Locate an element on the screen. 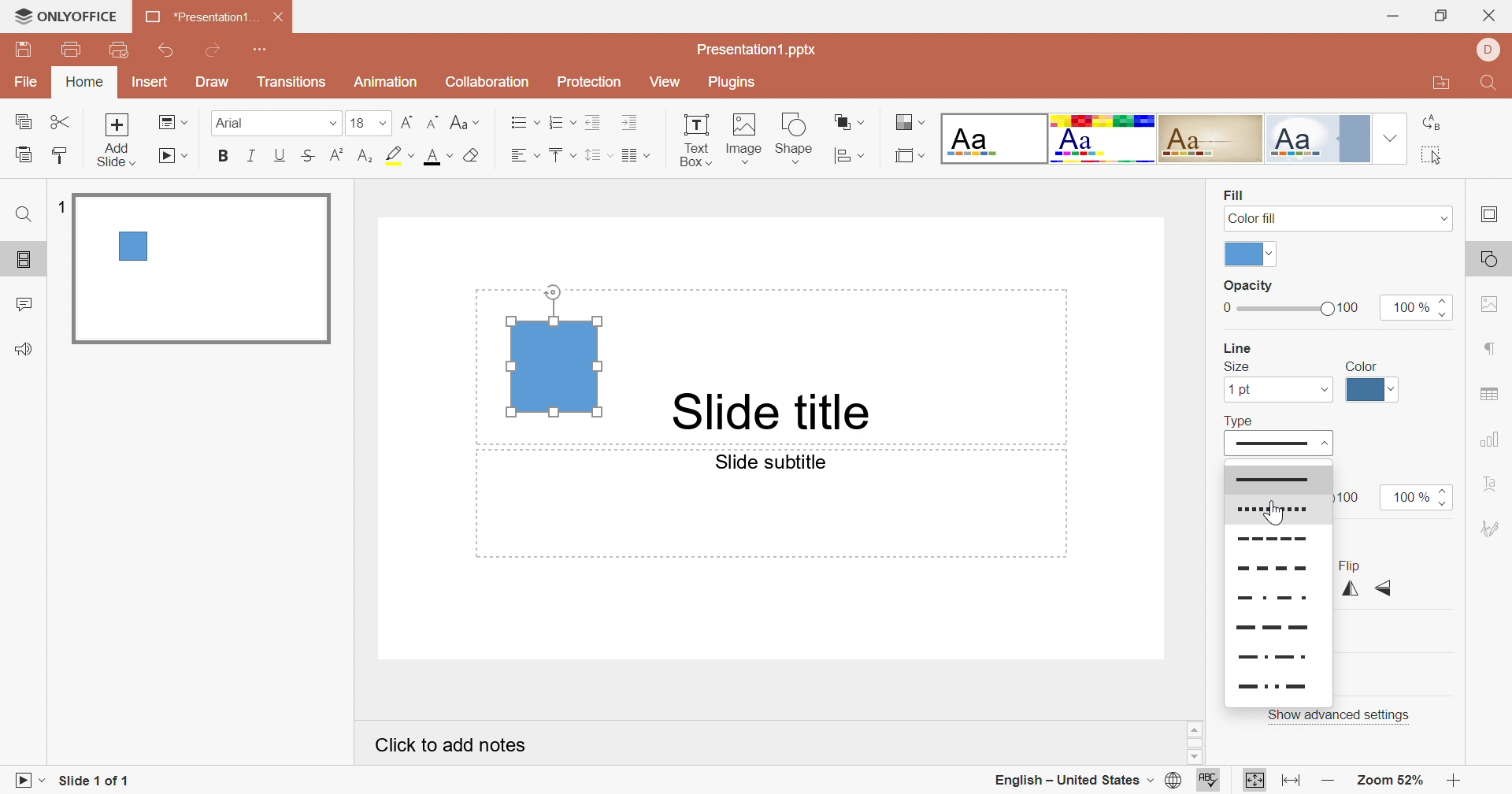 Image resolution: width=1512 pixels, height=794 pixels. Basic is located at coordinates (1104, 138).